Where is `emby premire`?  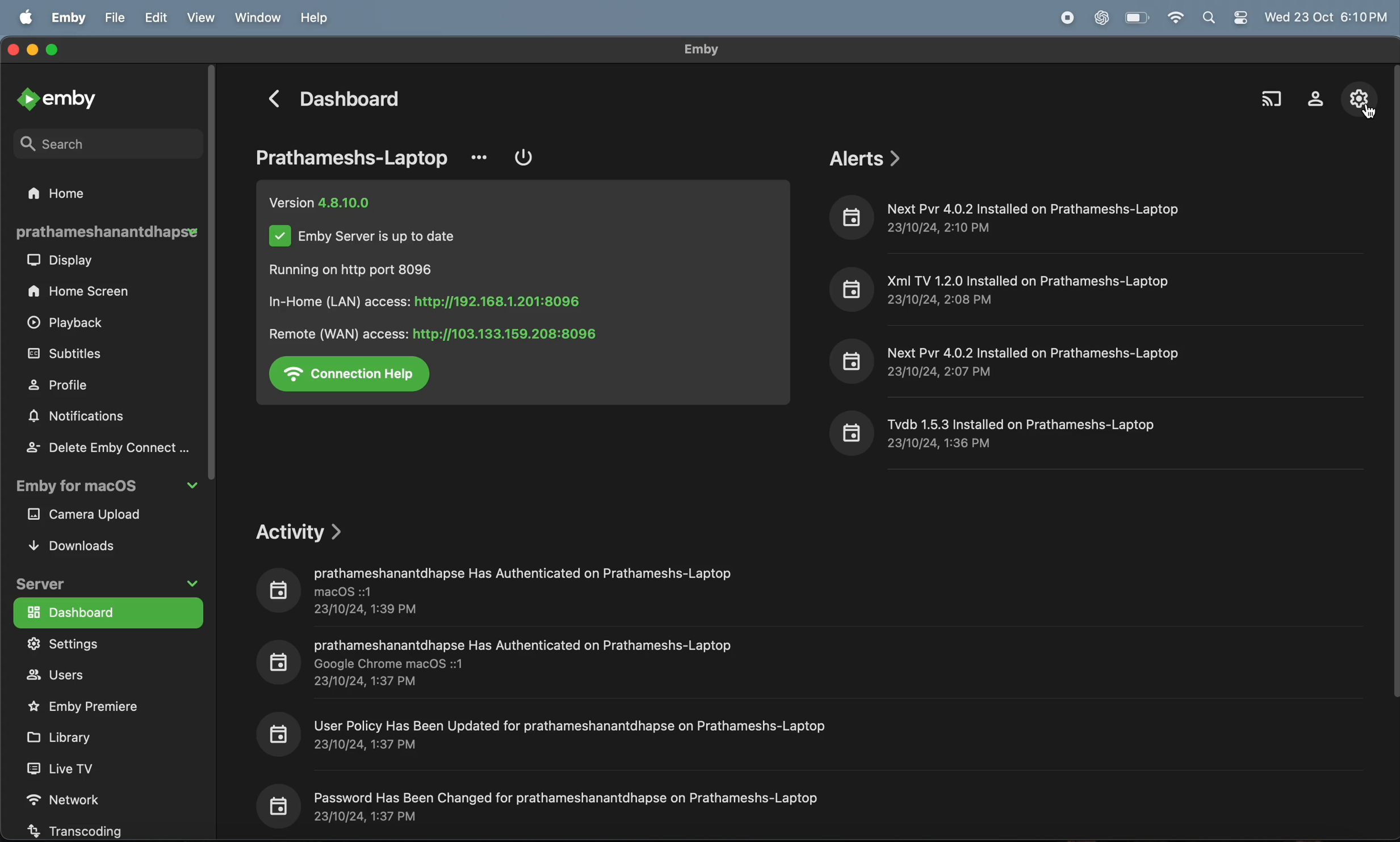 emby premire is located at coordinates (98, 709).